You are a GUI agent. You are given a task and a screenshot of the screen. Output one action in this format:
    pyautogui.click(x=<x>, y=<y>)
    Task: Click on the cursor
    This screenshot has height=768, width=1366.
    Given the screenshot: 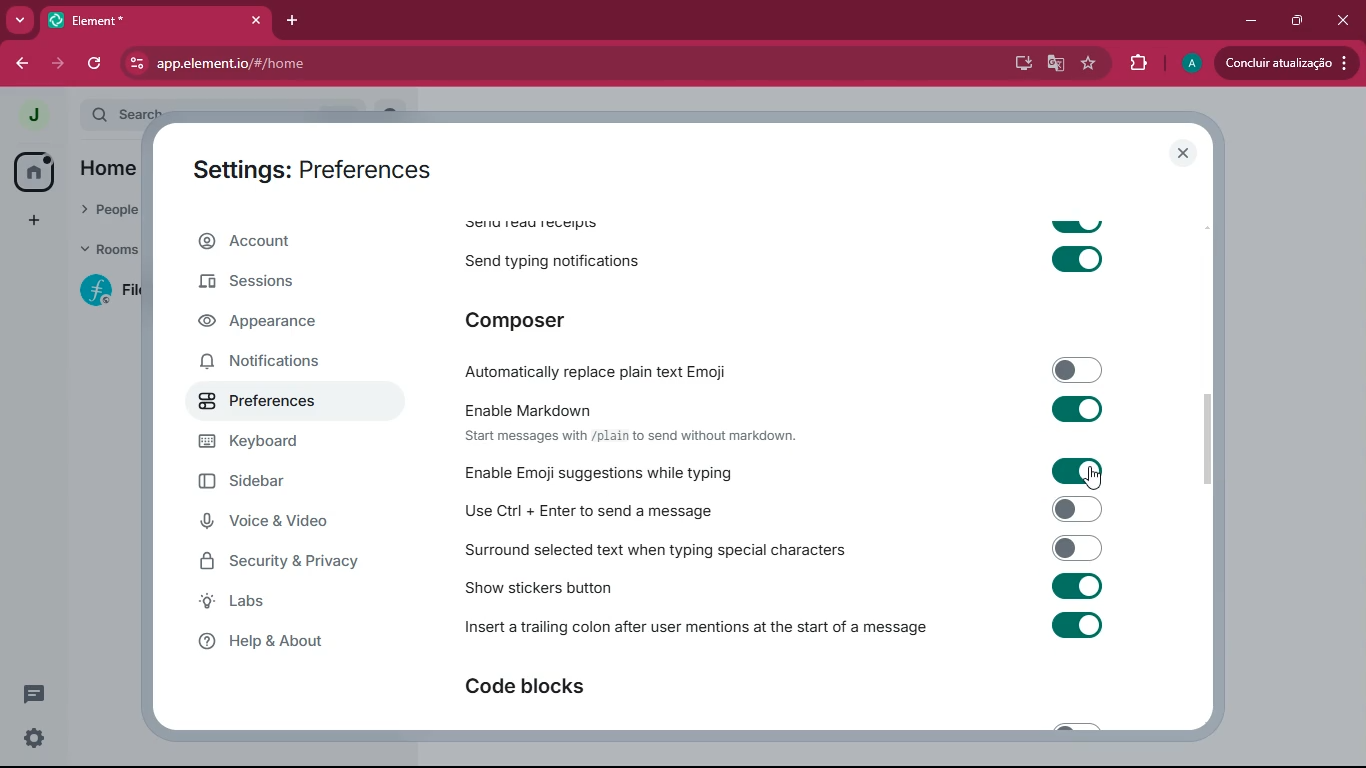 What is the action you would take?
    pyautogui.click(x=1094, y=478)
    